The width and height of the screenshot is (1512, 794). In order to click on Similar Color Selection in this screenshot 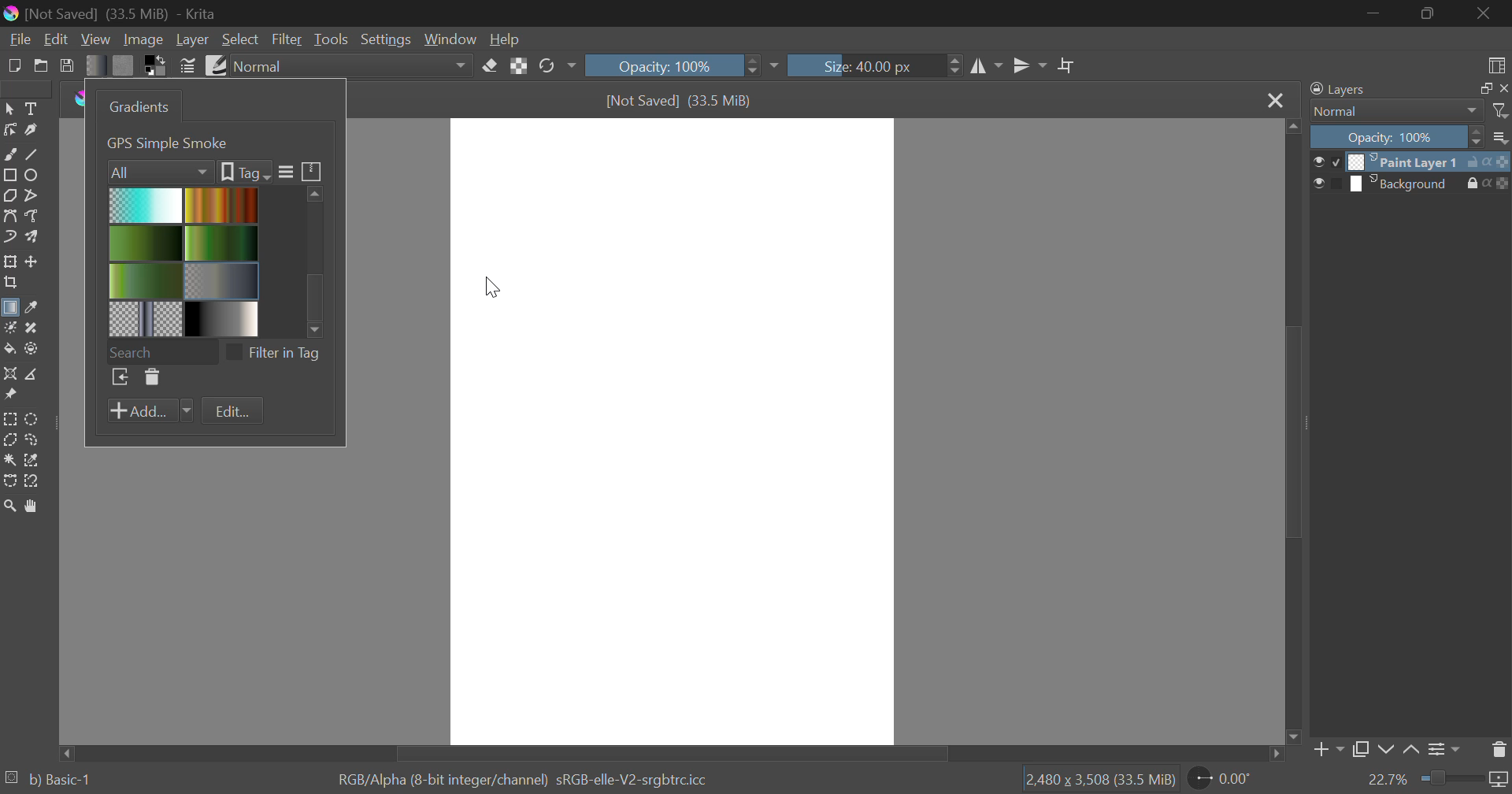, I will do `click(32, 461)`.